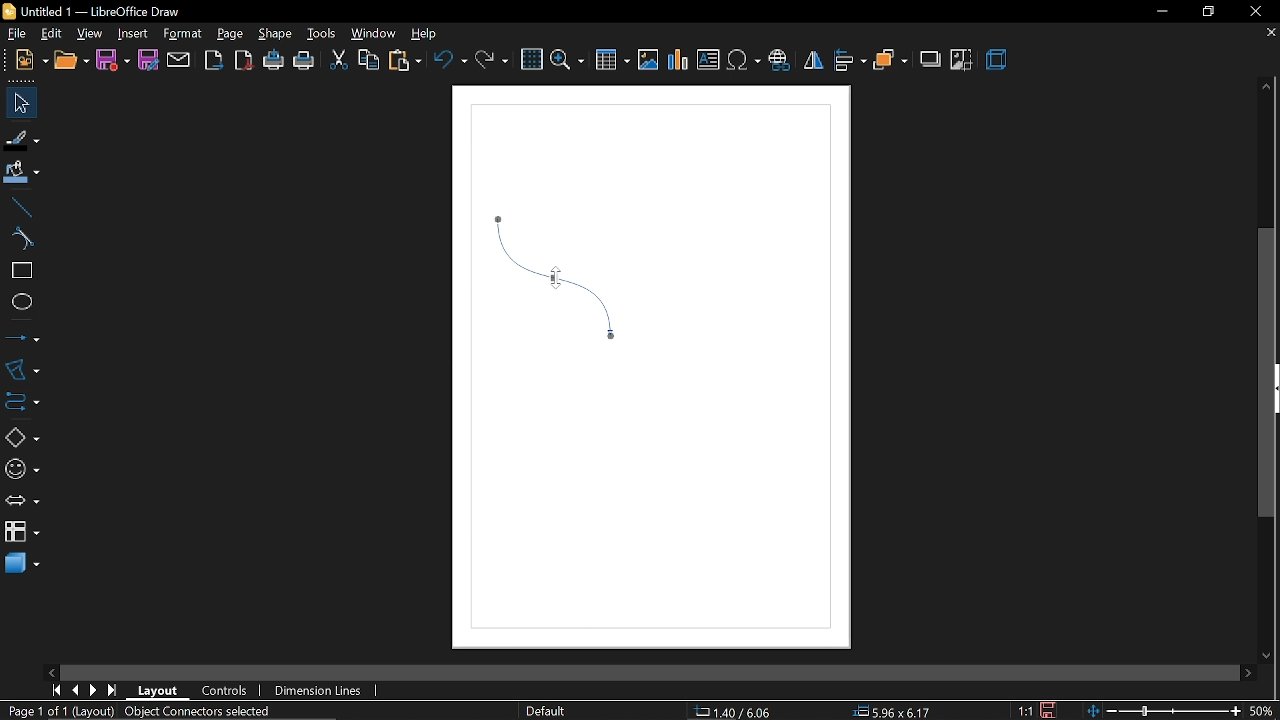  I want to click on layout, so click(159, 691).